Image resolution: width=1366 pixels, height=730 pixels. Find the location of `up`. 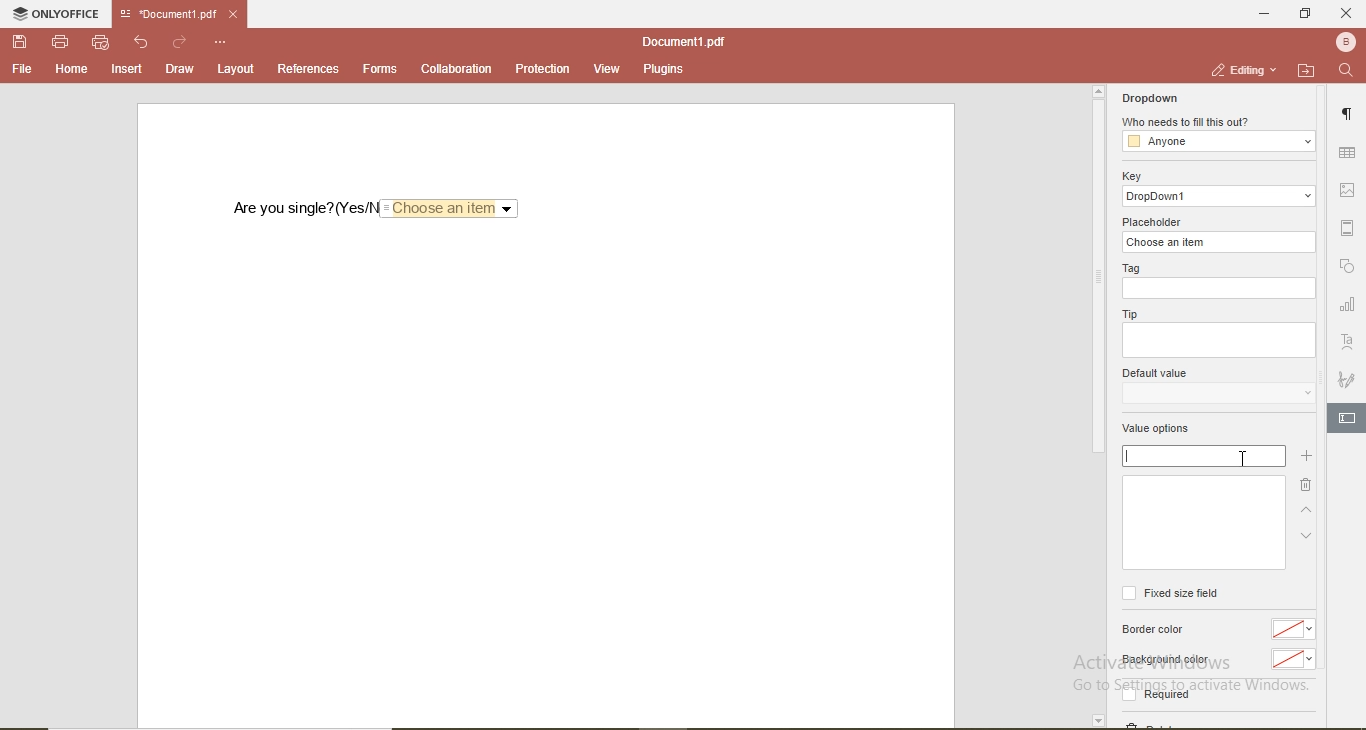

up is located at coordinates (1310, 510).